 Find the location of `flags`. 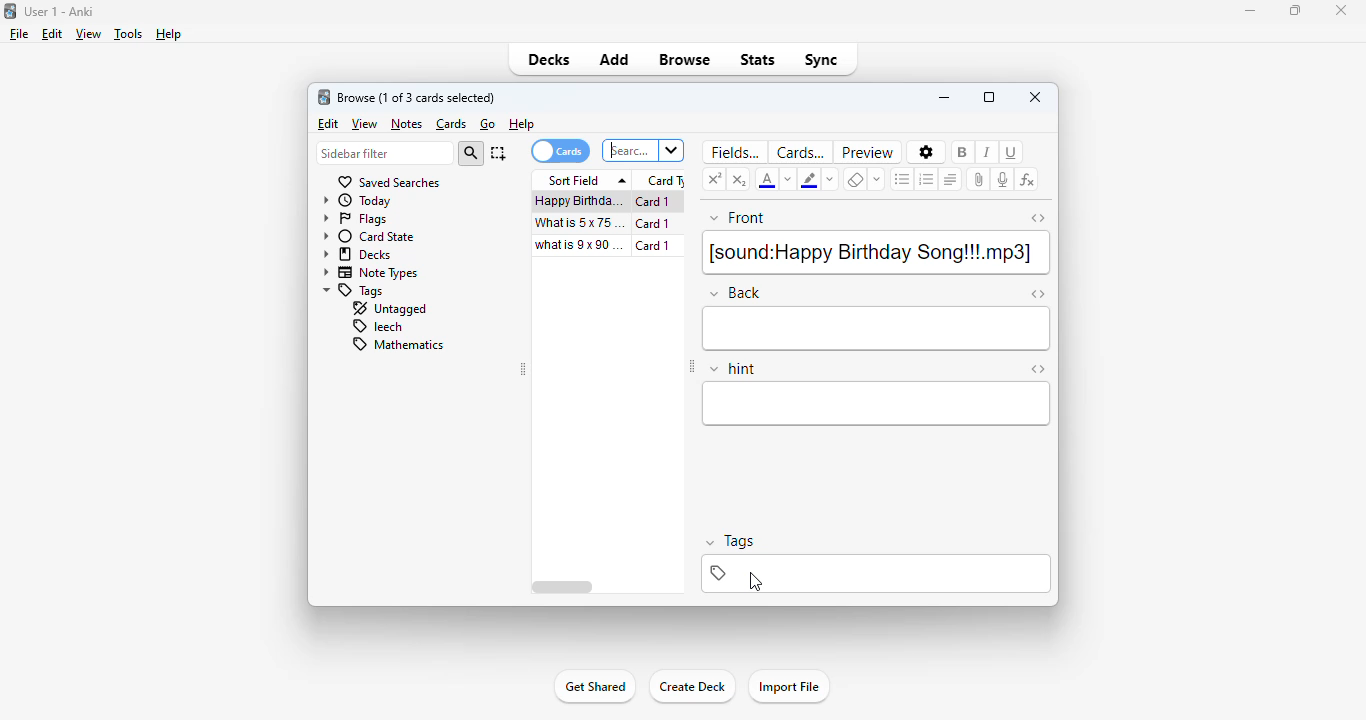

flags is located at coordinates (355, 220).